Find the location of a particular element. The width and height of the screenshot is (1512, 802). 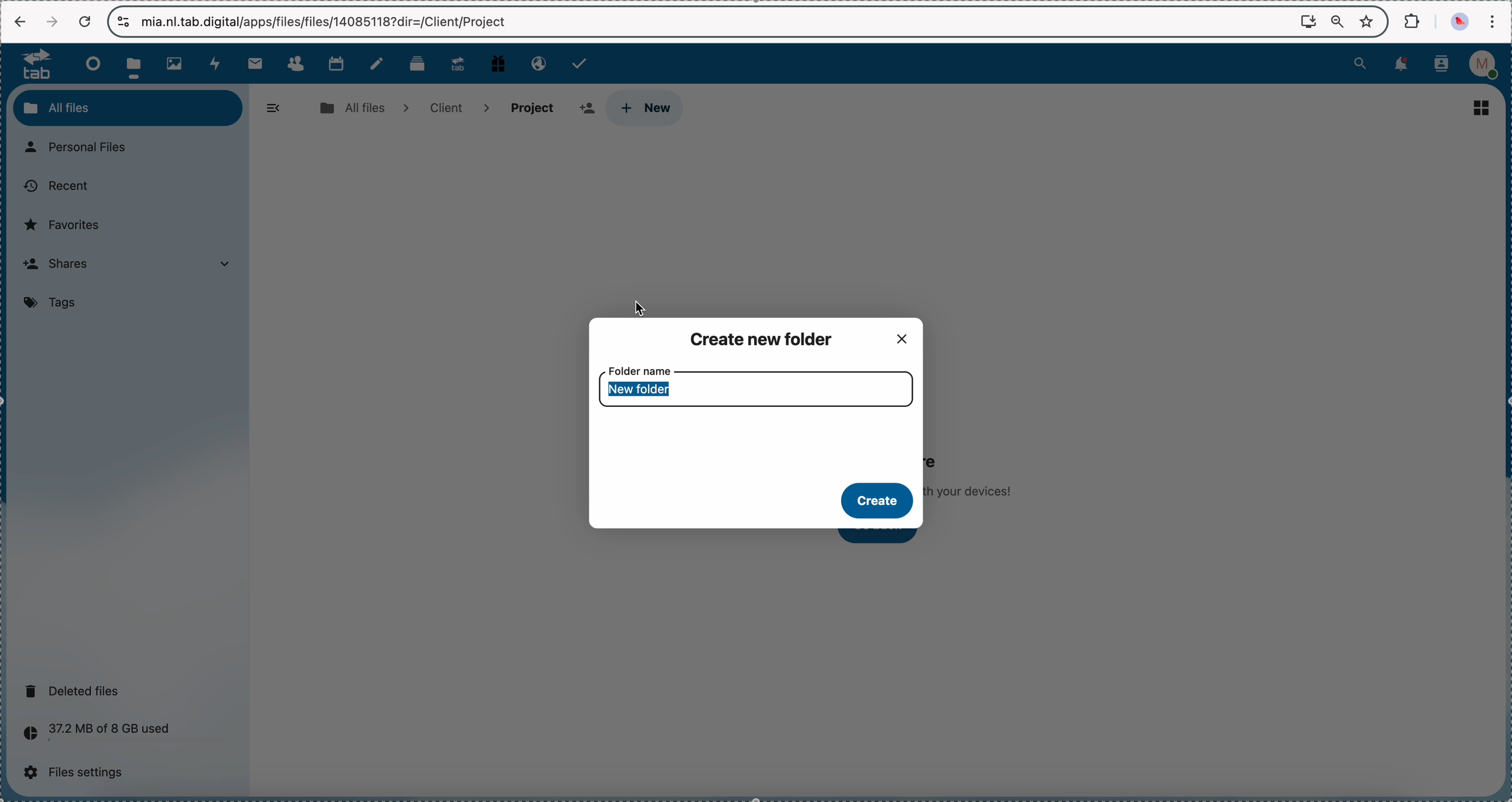

favorites is located at coordinates (66, 224).